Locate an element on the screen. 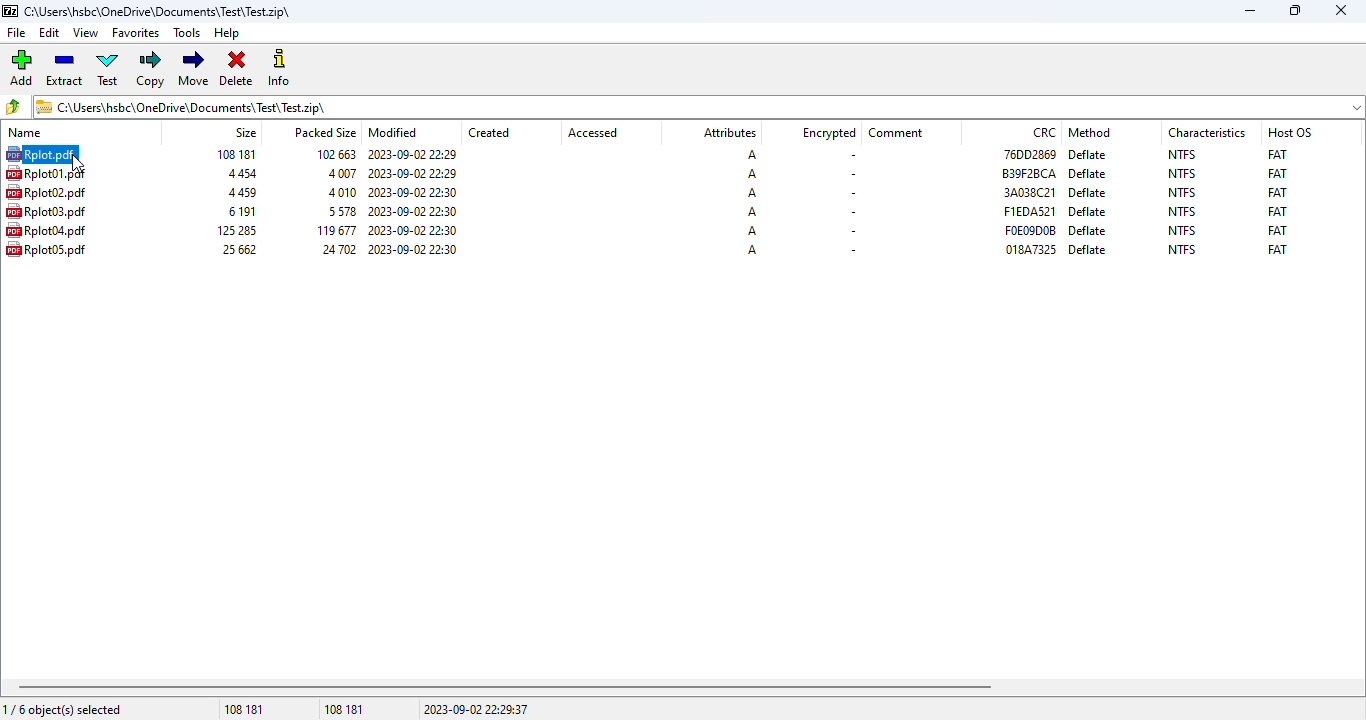  A is located at coordinates (752, 174).